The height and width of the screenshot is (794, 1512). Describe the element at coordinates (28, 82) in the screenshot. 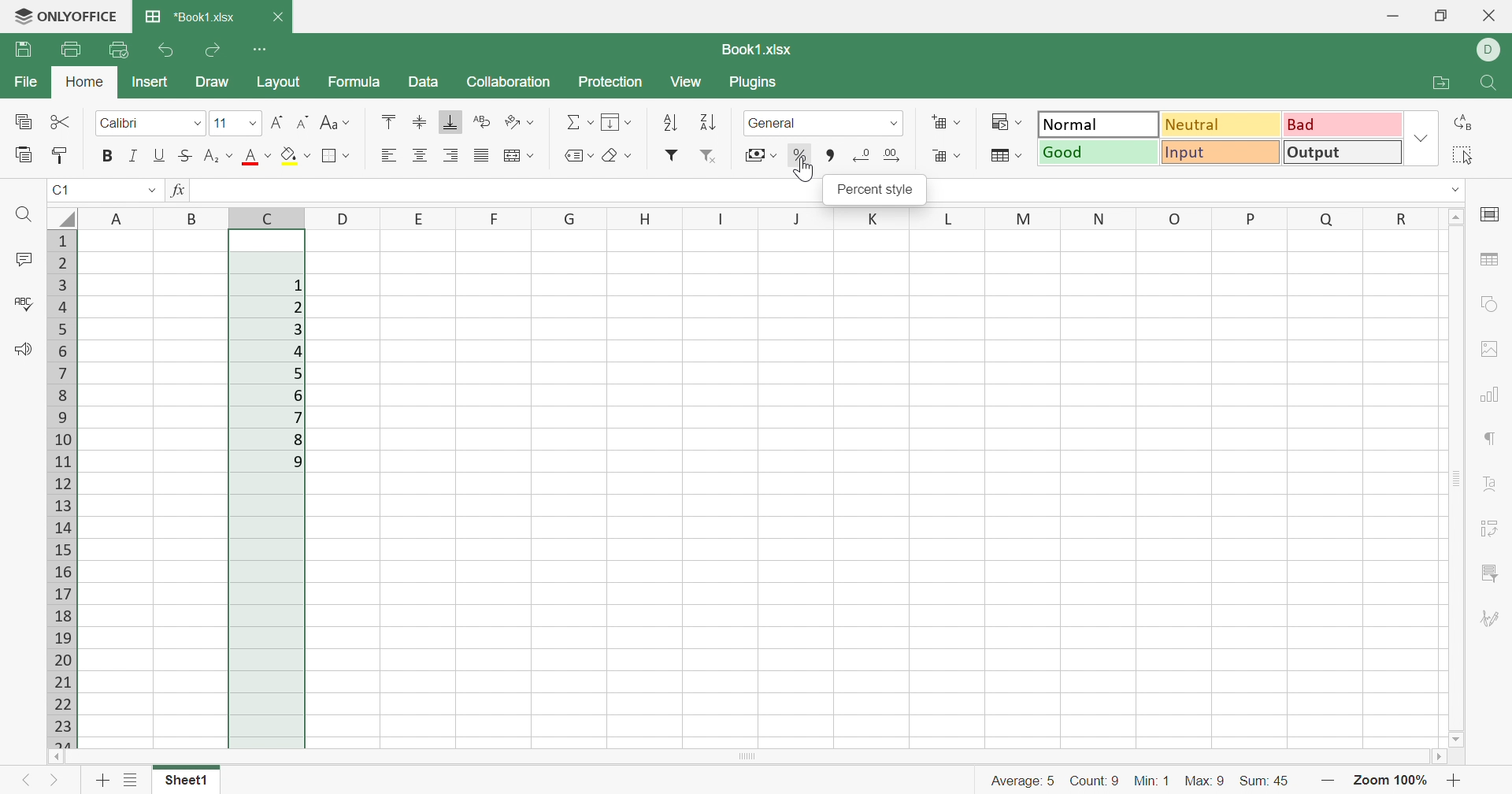

I see `File` at that location.